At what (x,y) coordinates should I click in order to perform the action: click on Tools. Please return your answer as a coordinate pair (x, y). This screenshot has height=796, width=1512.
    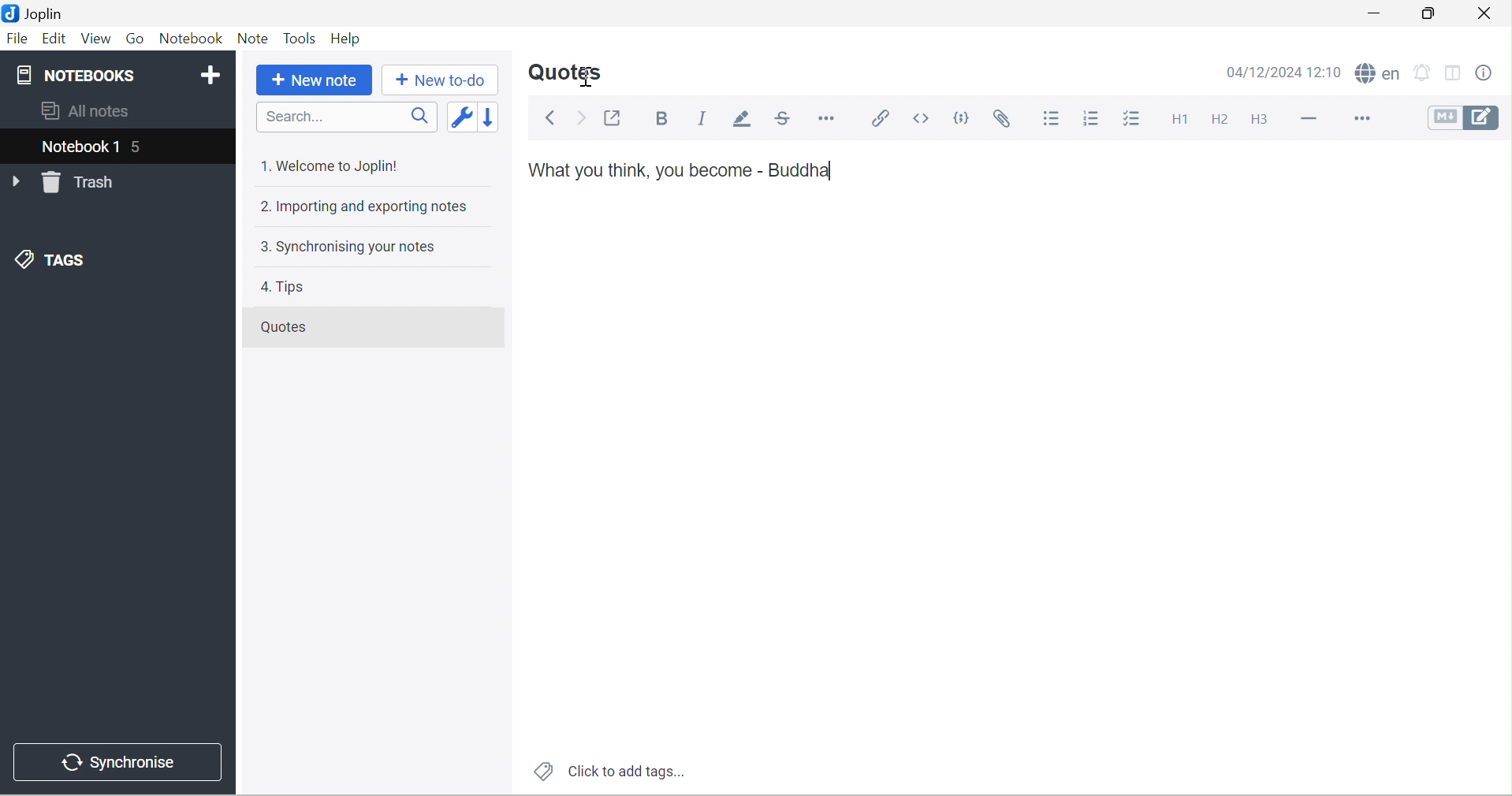
    Looking at the image, I should click on (301, 38).